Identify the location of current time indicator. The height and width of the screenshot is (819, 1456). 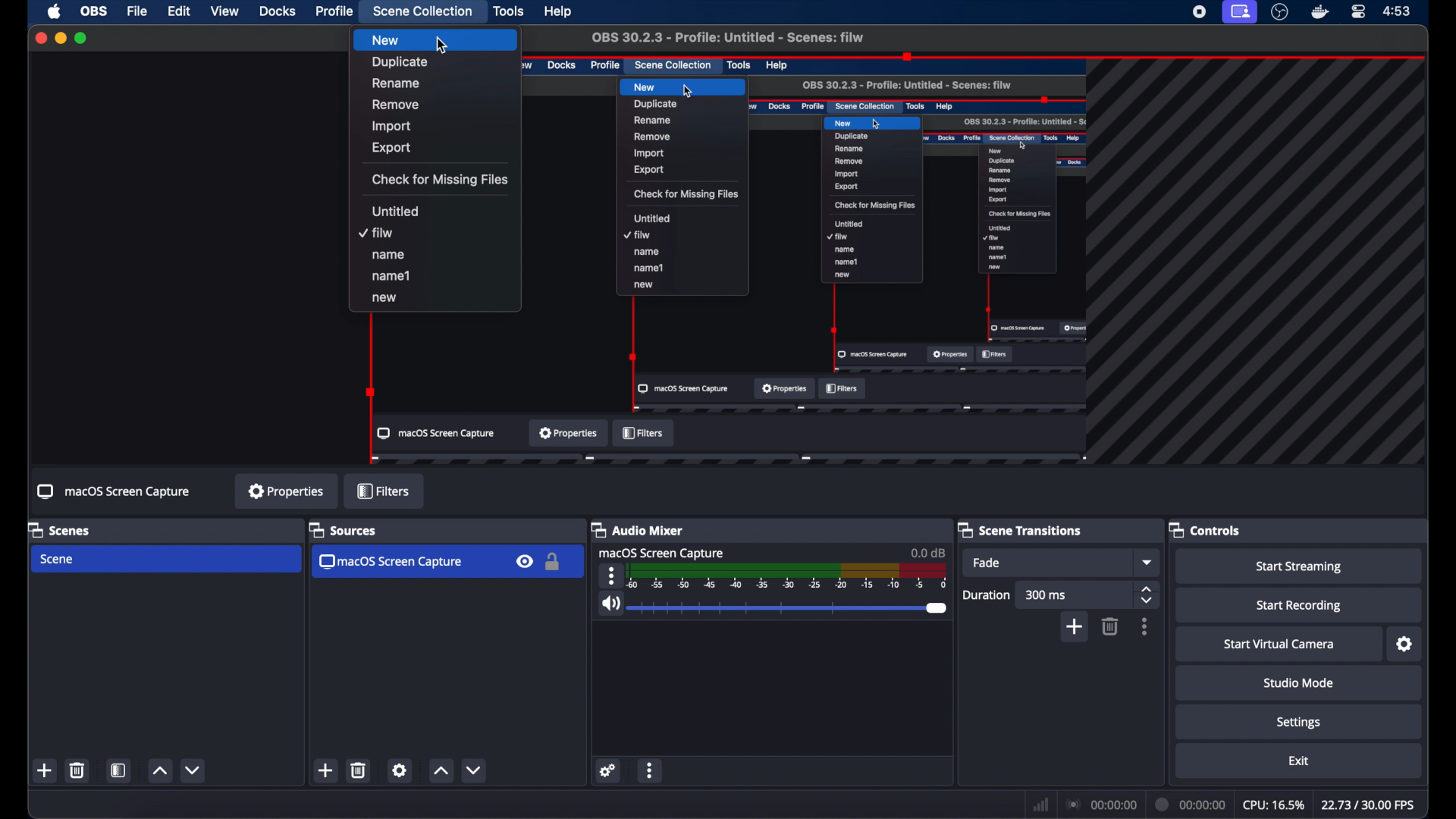
(1194, 802).